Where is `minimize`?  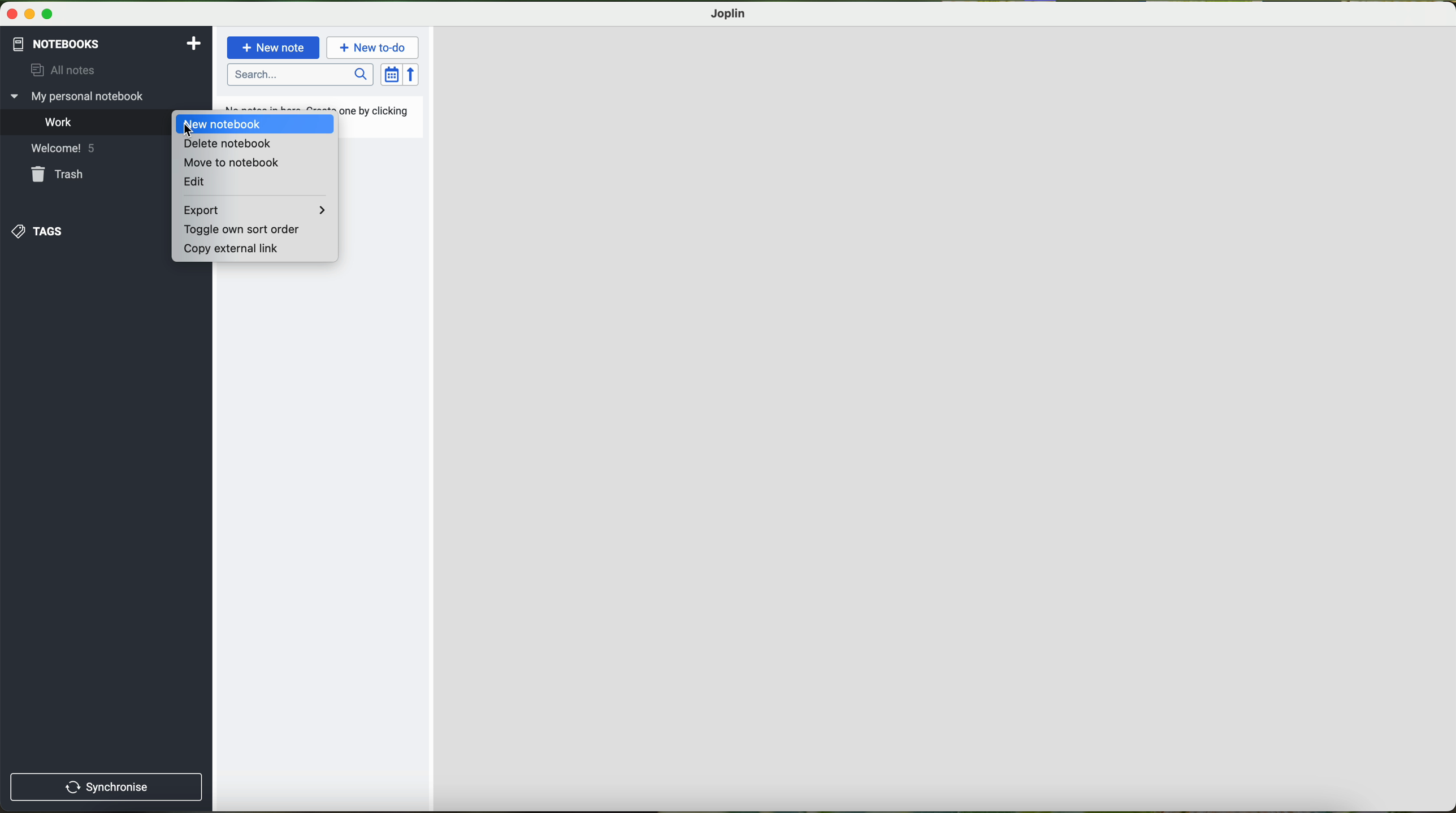 minimize is located at coordinates (31, 15).